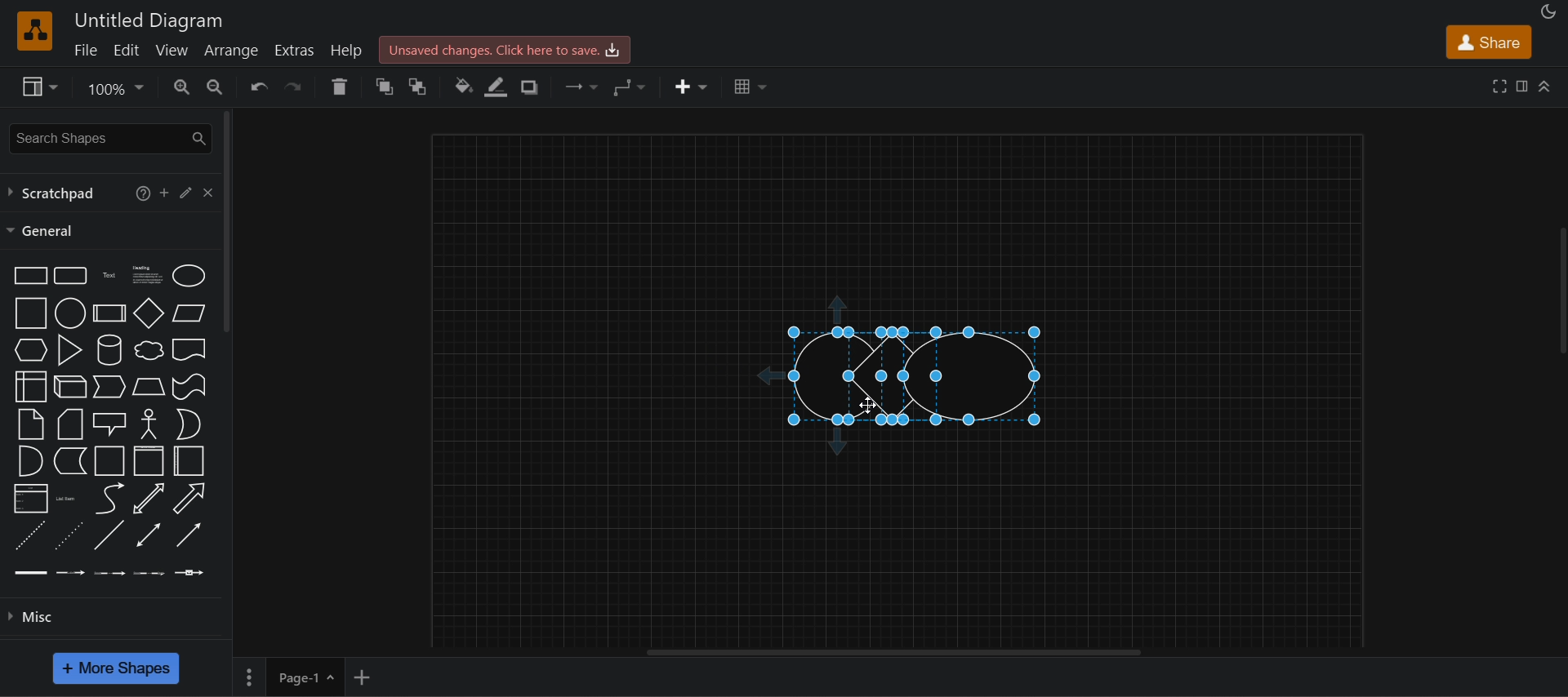 Image resolution: width=1568 pixels, height=697 pixels. Describe the element at coordinates (28, 313) in the screenshot. I see `square` at that location.